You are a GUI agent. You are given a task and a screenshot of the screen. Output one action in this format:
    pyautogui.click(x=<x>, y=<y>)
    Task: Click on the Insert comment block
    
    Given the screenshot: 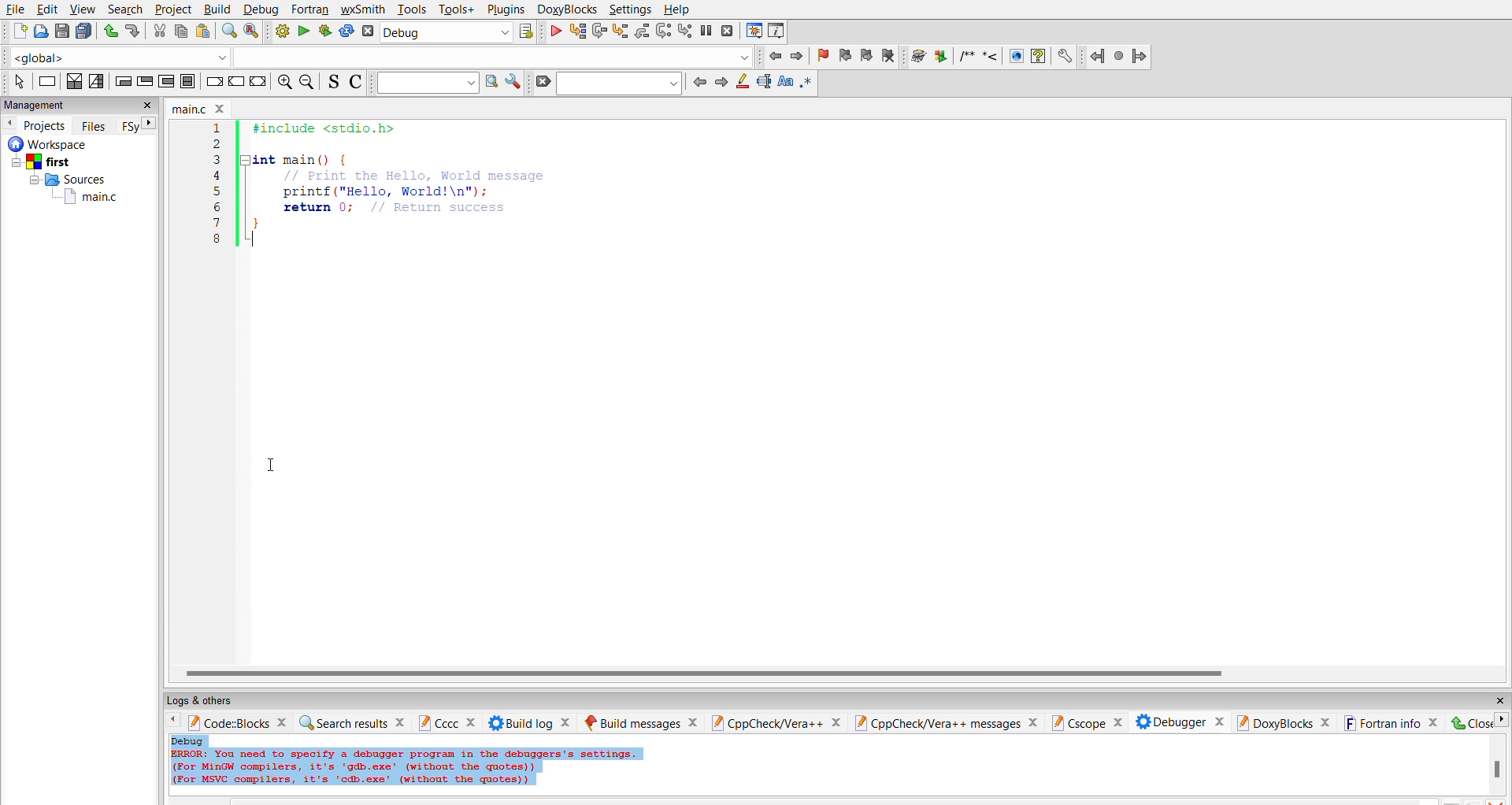 What is the action you would take?
    pyautogui.click(x=968, y=56)
    